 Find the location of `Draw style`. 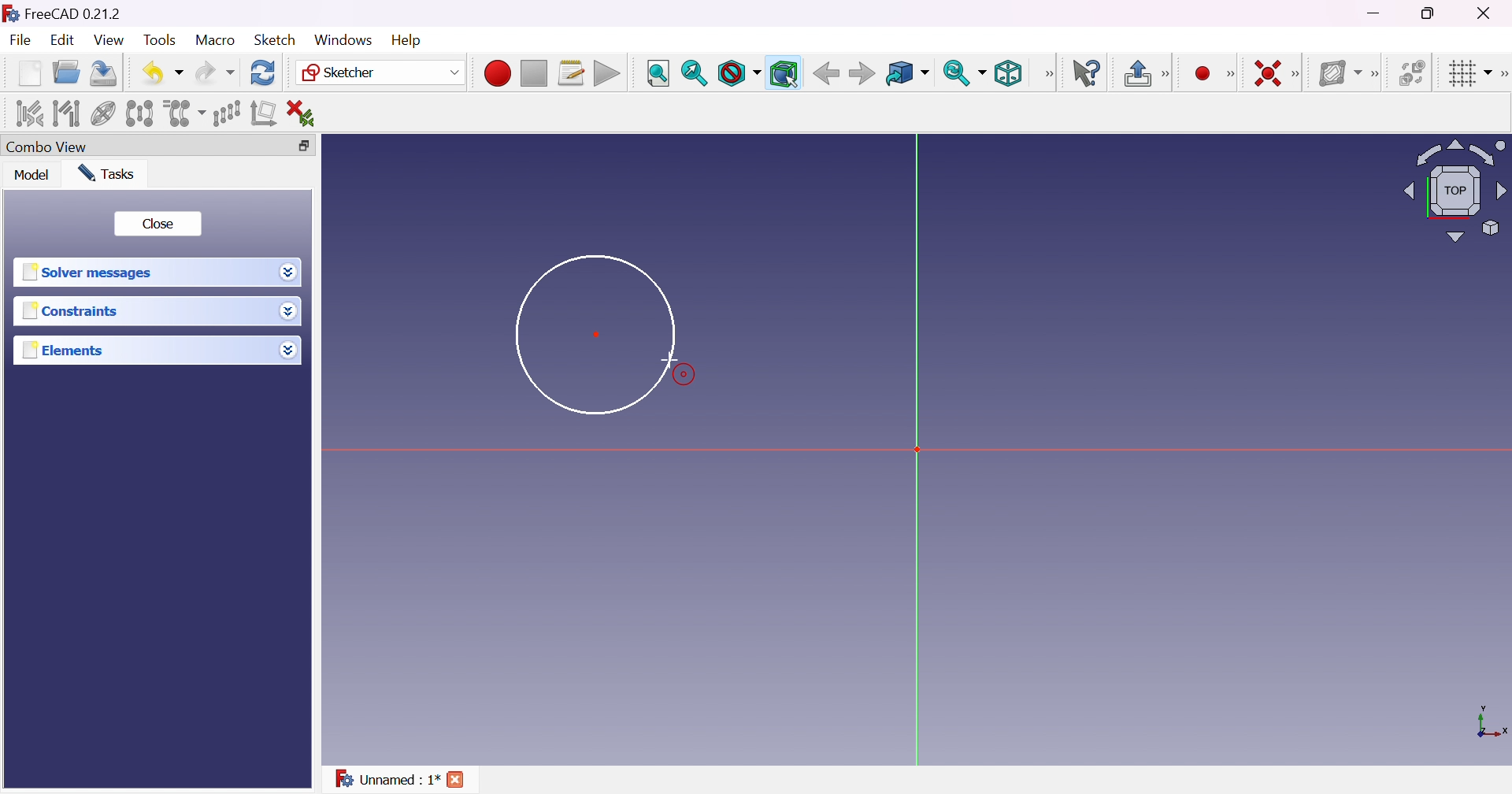

Draw style is located at coordinates (740, 74).